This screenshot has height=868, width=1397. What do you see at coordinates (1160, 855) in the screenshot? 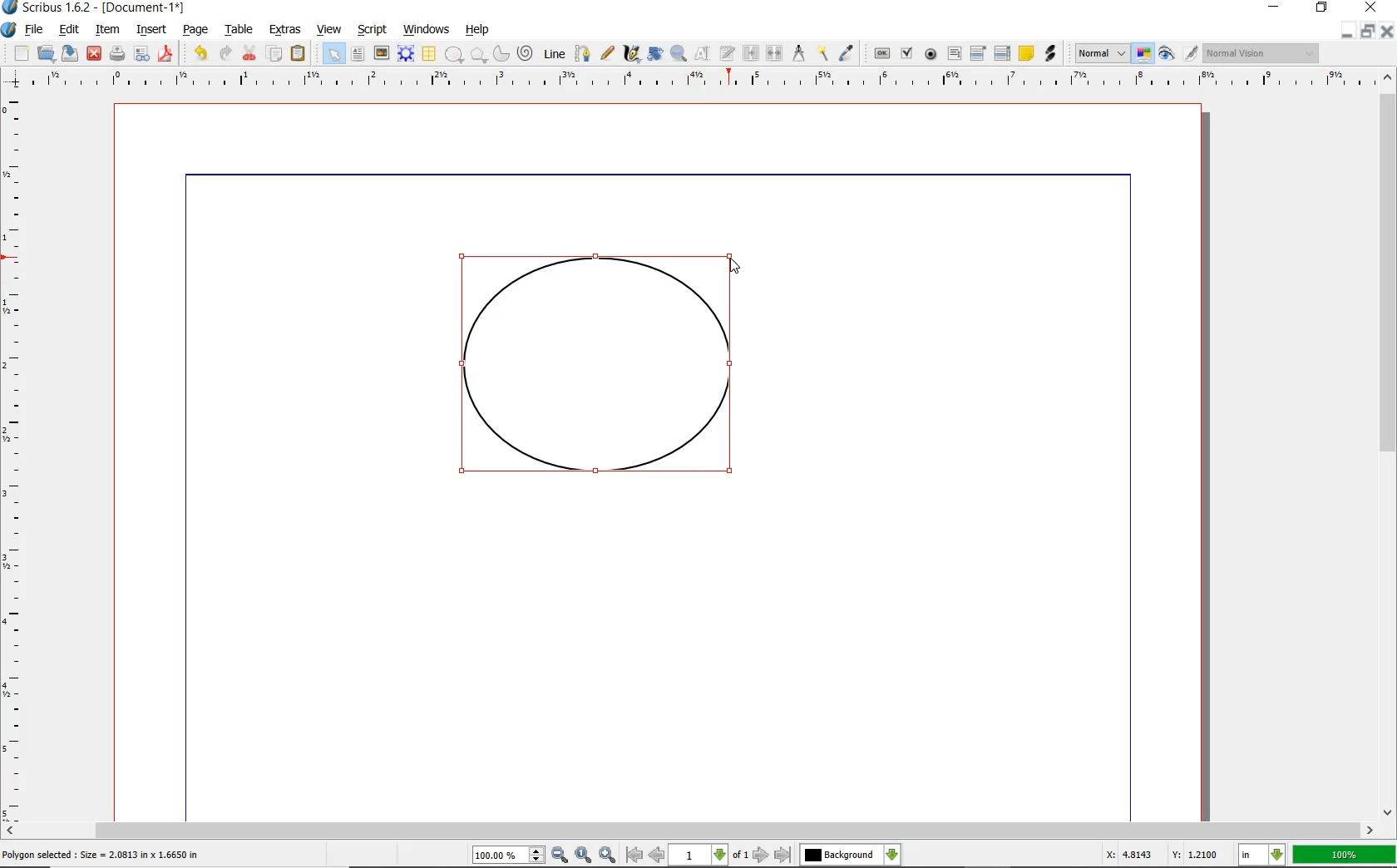
I see `coordinates` at bounding box center [1160, 855].